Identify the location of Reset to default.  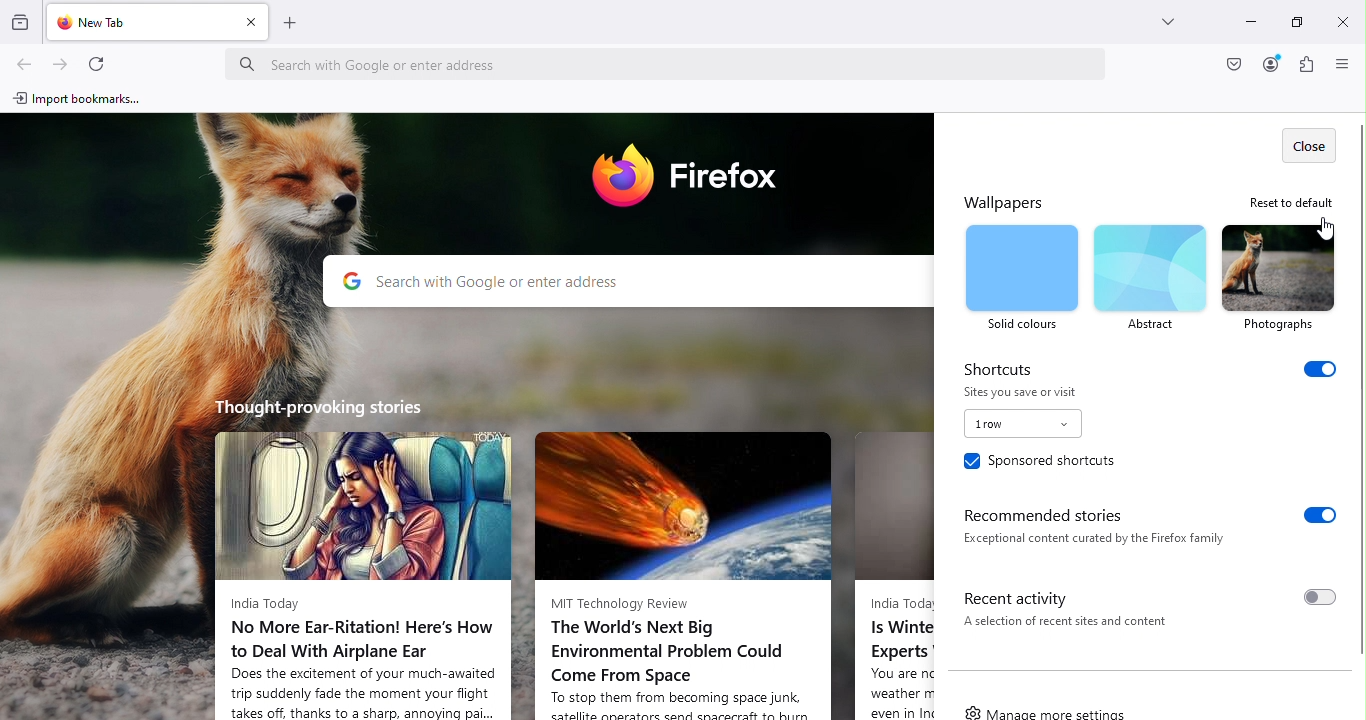
(1288, 201).